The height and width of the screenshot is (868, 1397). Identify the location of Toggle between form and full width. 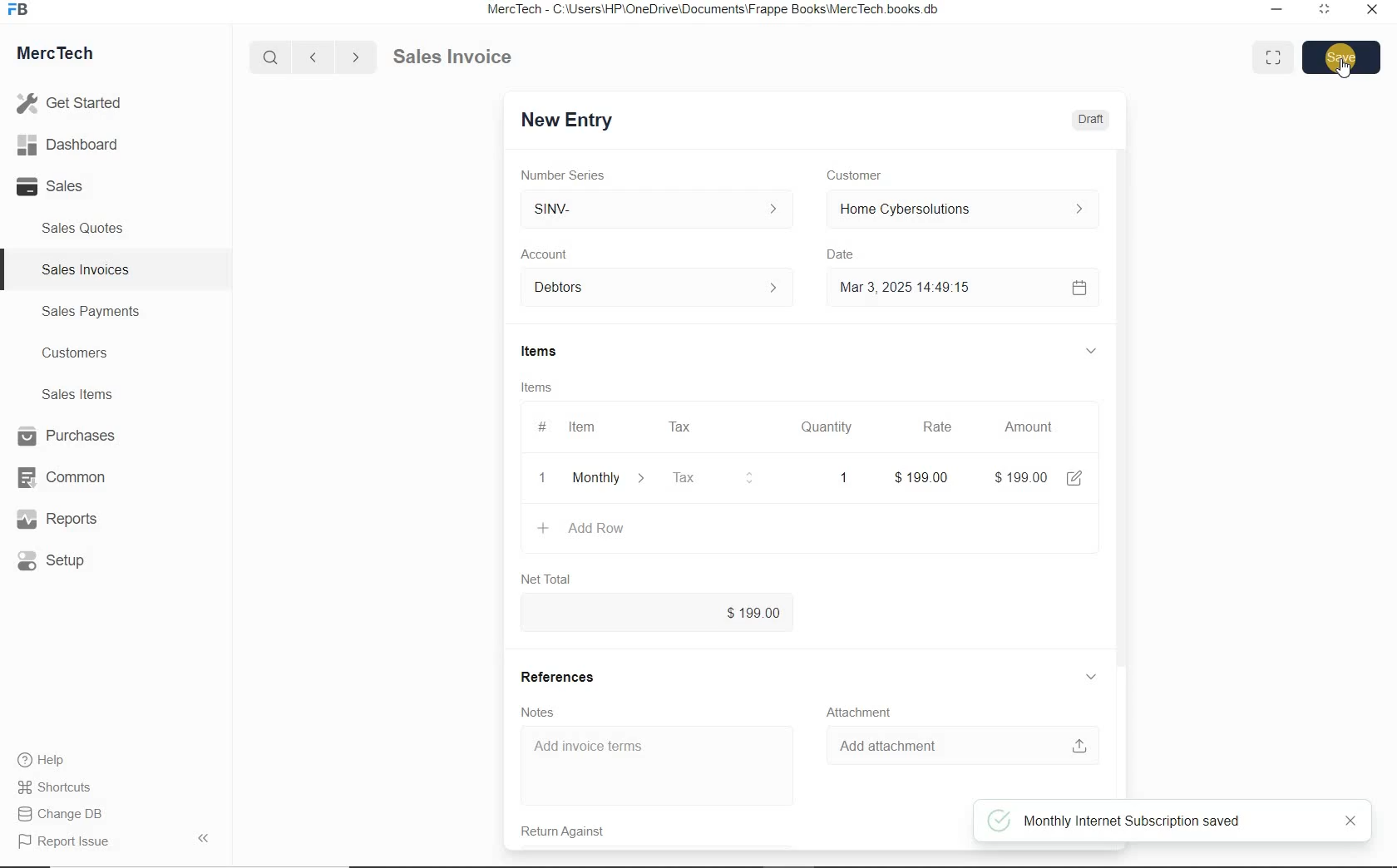
(1269, 56).